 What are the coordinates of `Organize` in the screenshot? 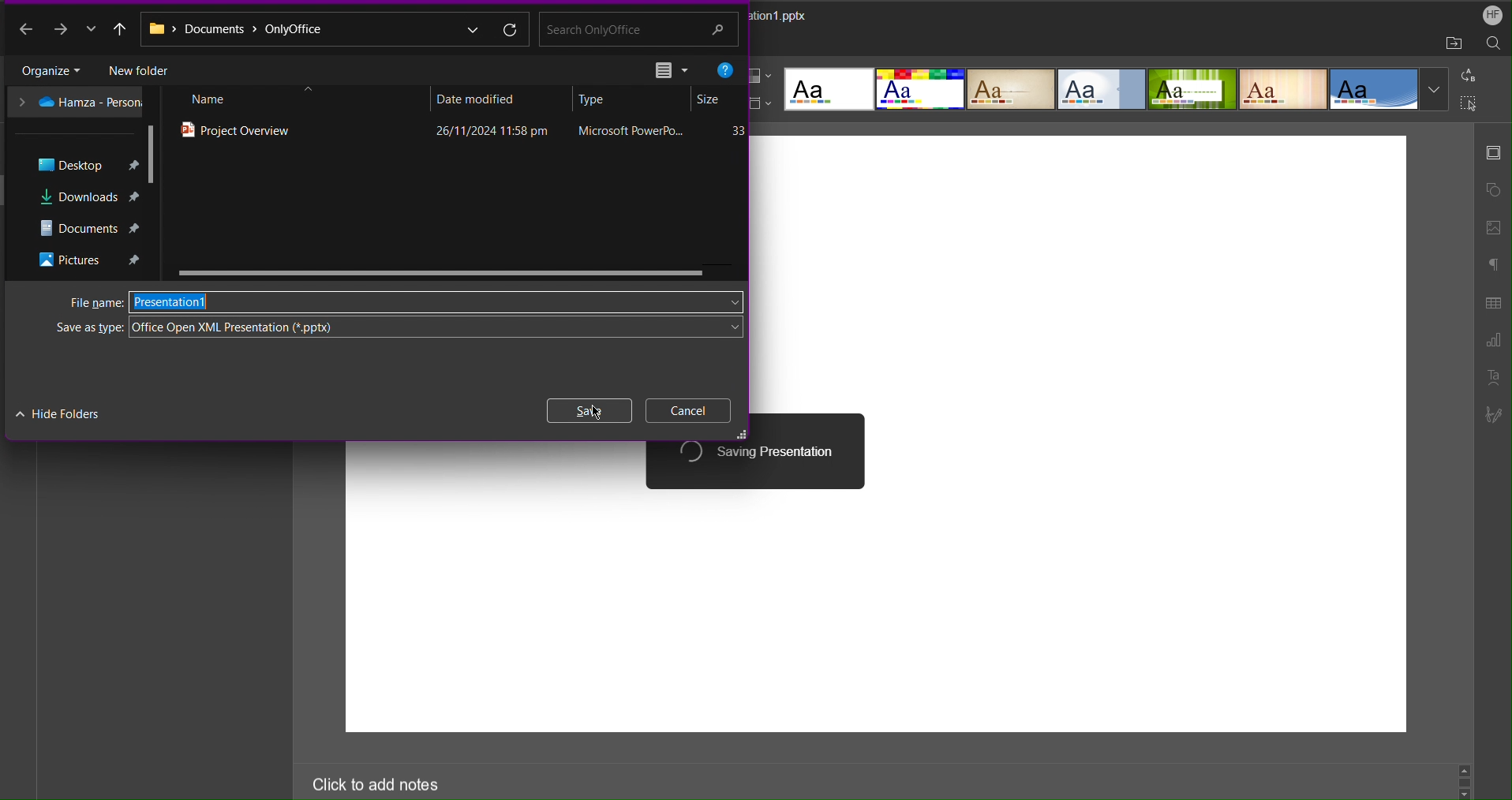 It's located at (51, 70).